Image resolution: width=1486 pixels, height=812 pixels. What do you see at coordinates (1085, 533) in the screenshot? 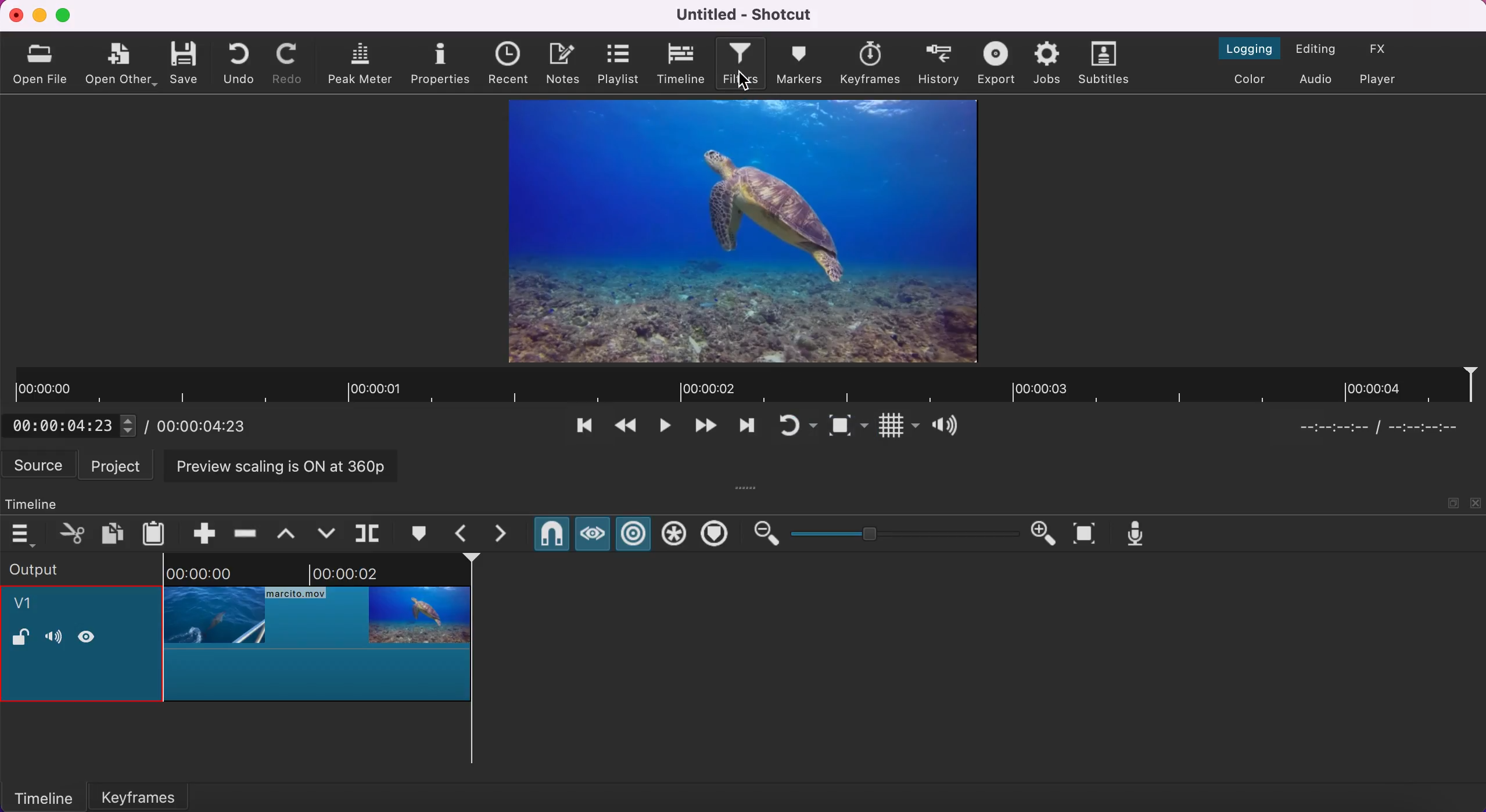
I see `zoom timeline to fit` at bounding box center [1085, 533].